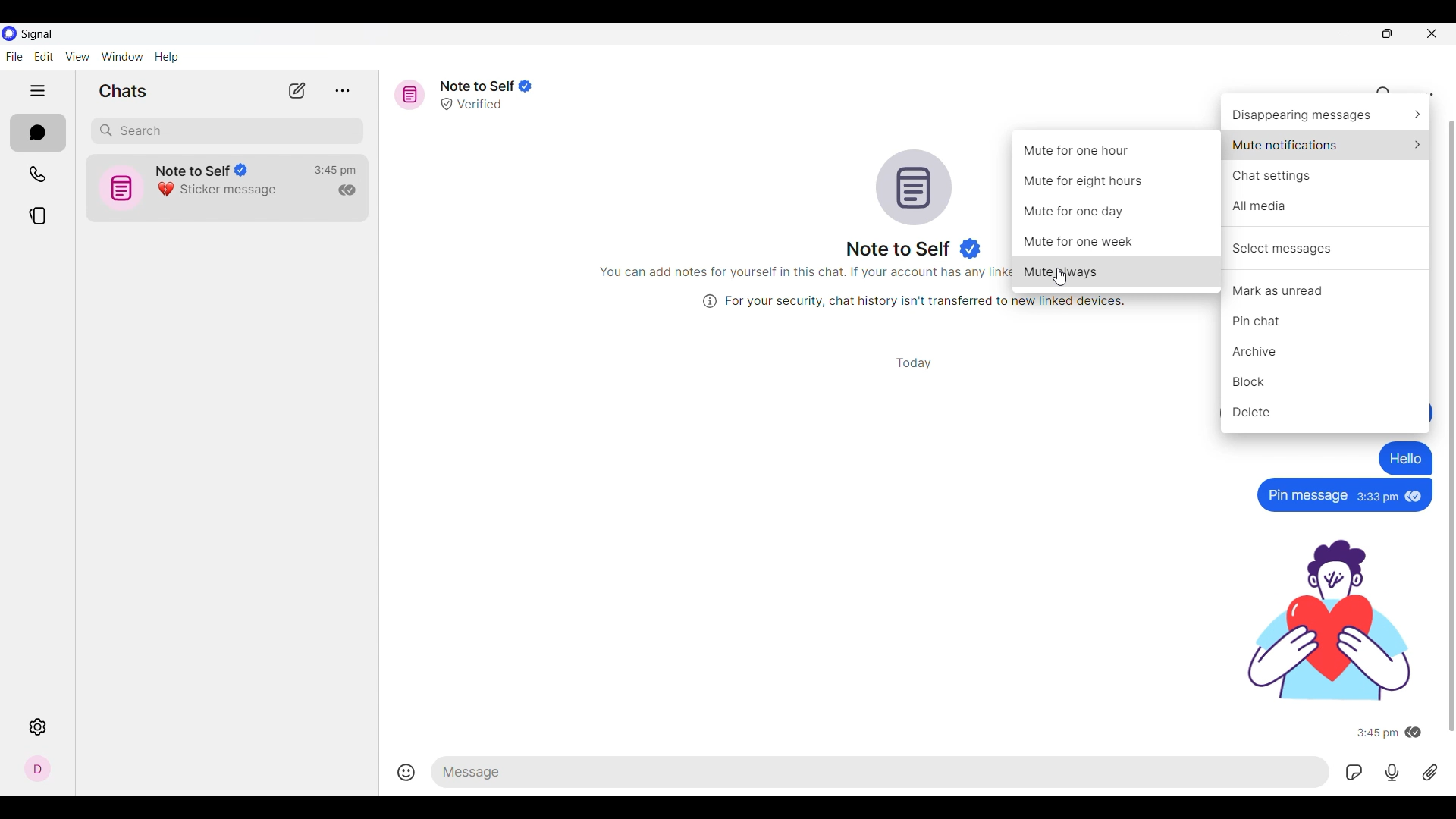 The width and height of the screenshot is (1456, 819). I want to click on Help menu, so click(167, 58).